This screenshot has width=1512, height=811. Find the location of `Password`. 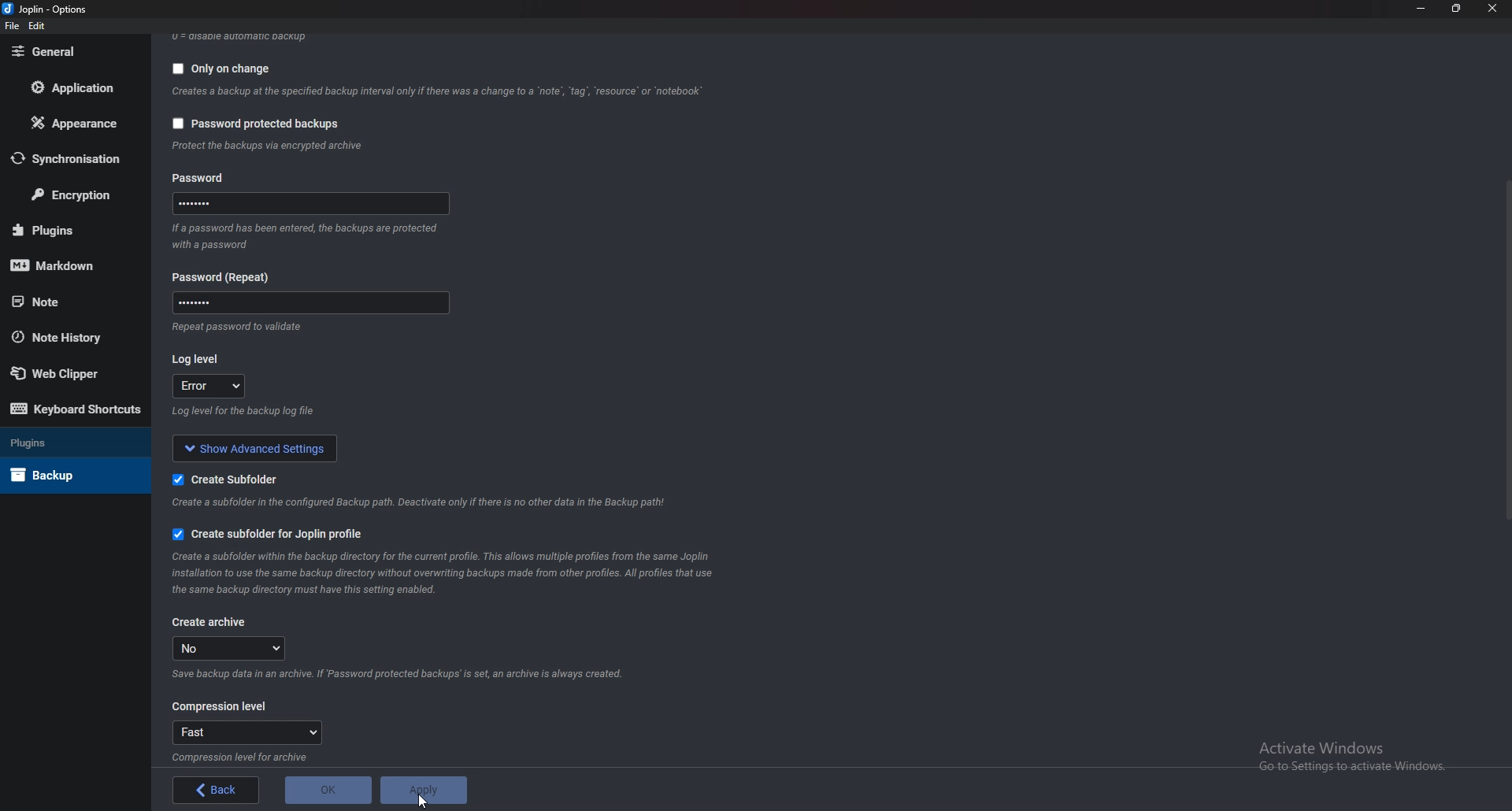

Password is located at coordinates (309, 206).